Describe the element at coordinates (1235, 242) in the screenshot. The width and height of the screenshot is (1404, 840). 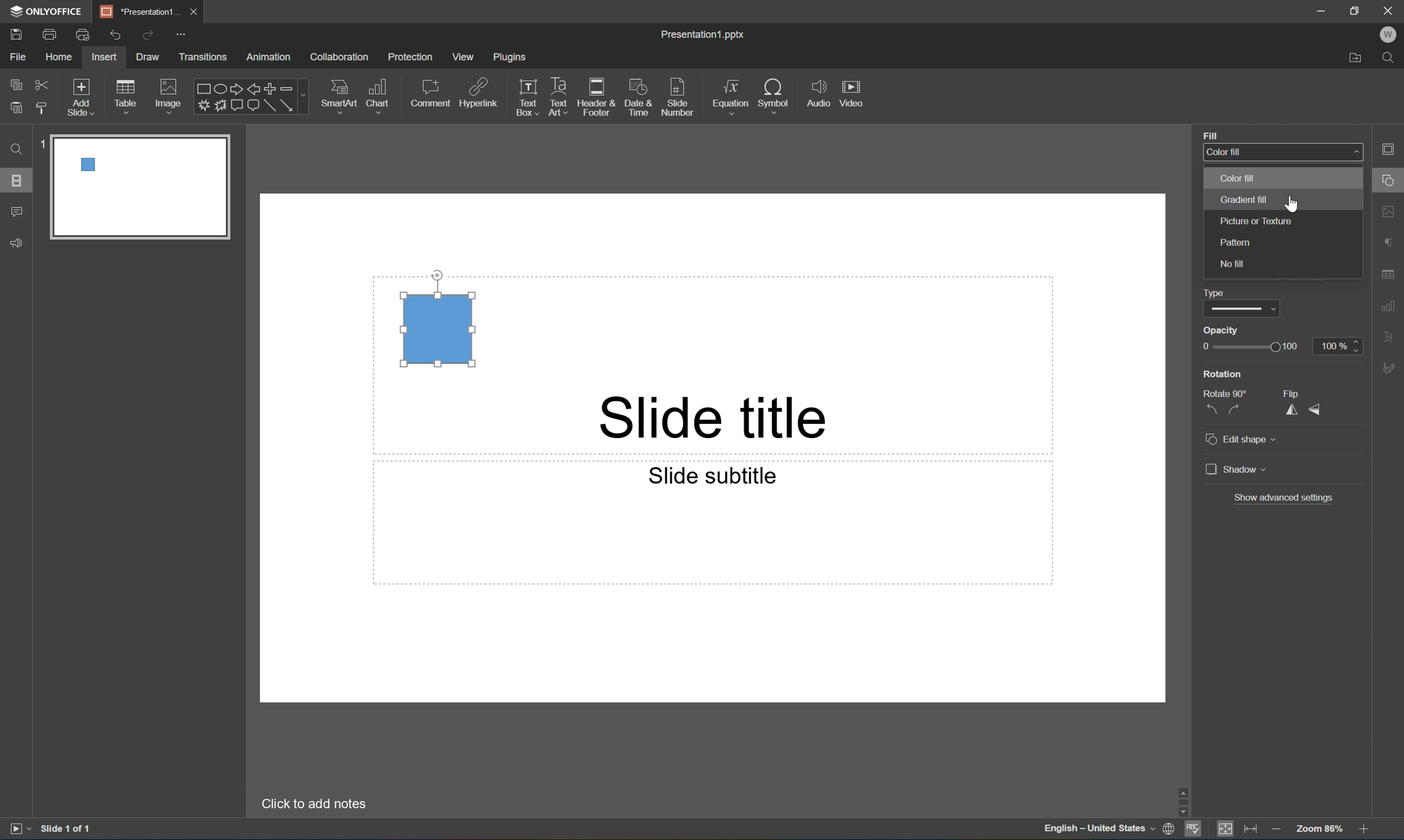
I see `Pattern` at that location.